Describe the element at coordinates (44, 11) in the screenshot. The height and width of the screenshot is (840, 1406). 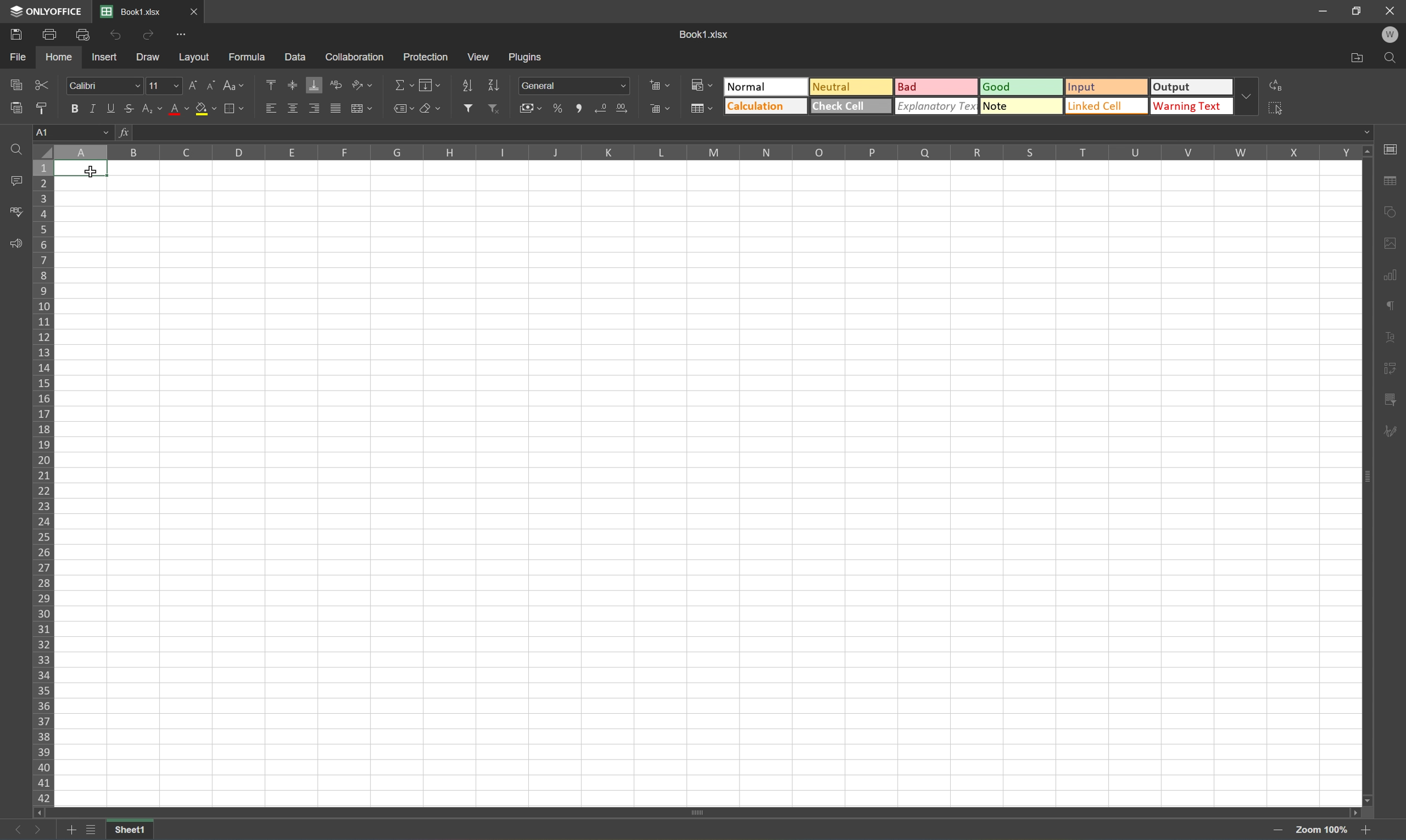
I see `ONLYOFFICE` at that location.